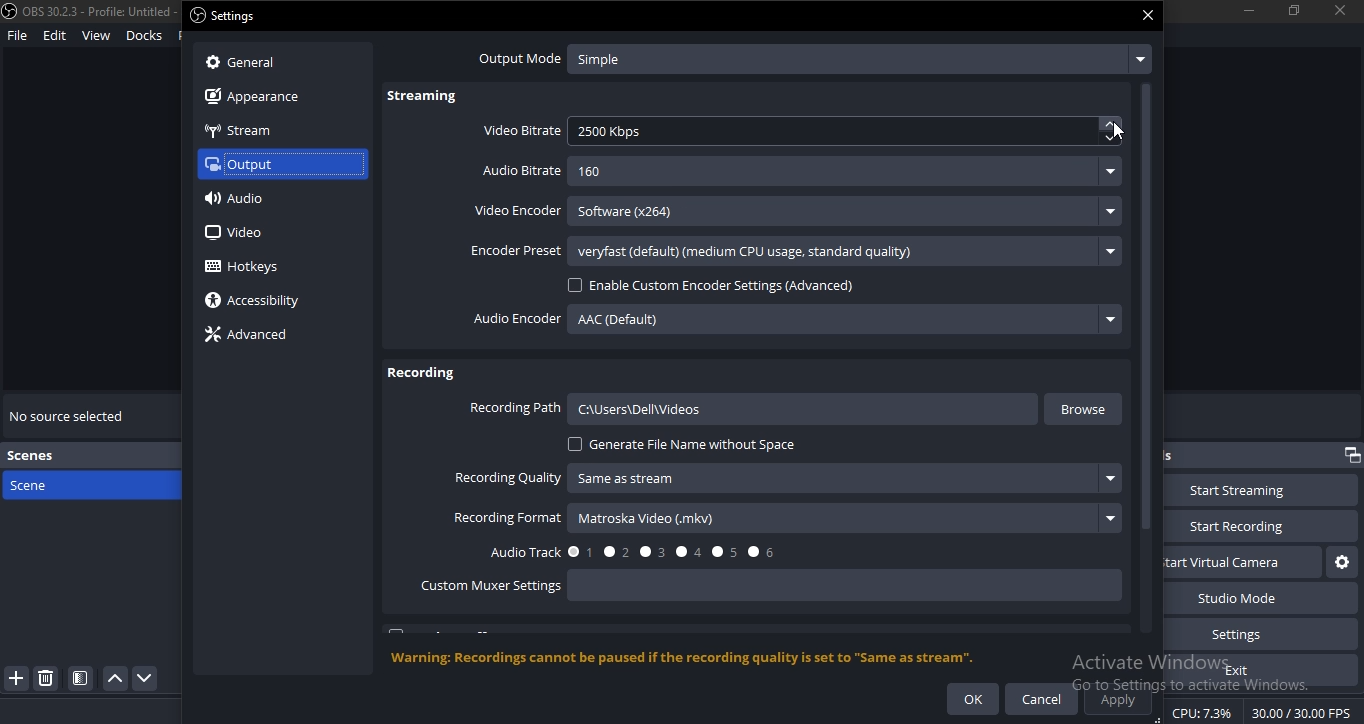  I want to click on appearance, so click(269, 98).